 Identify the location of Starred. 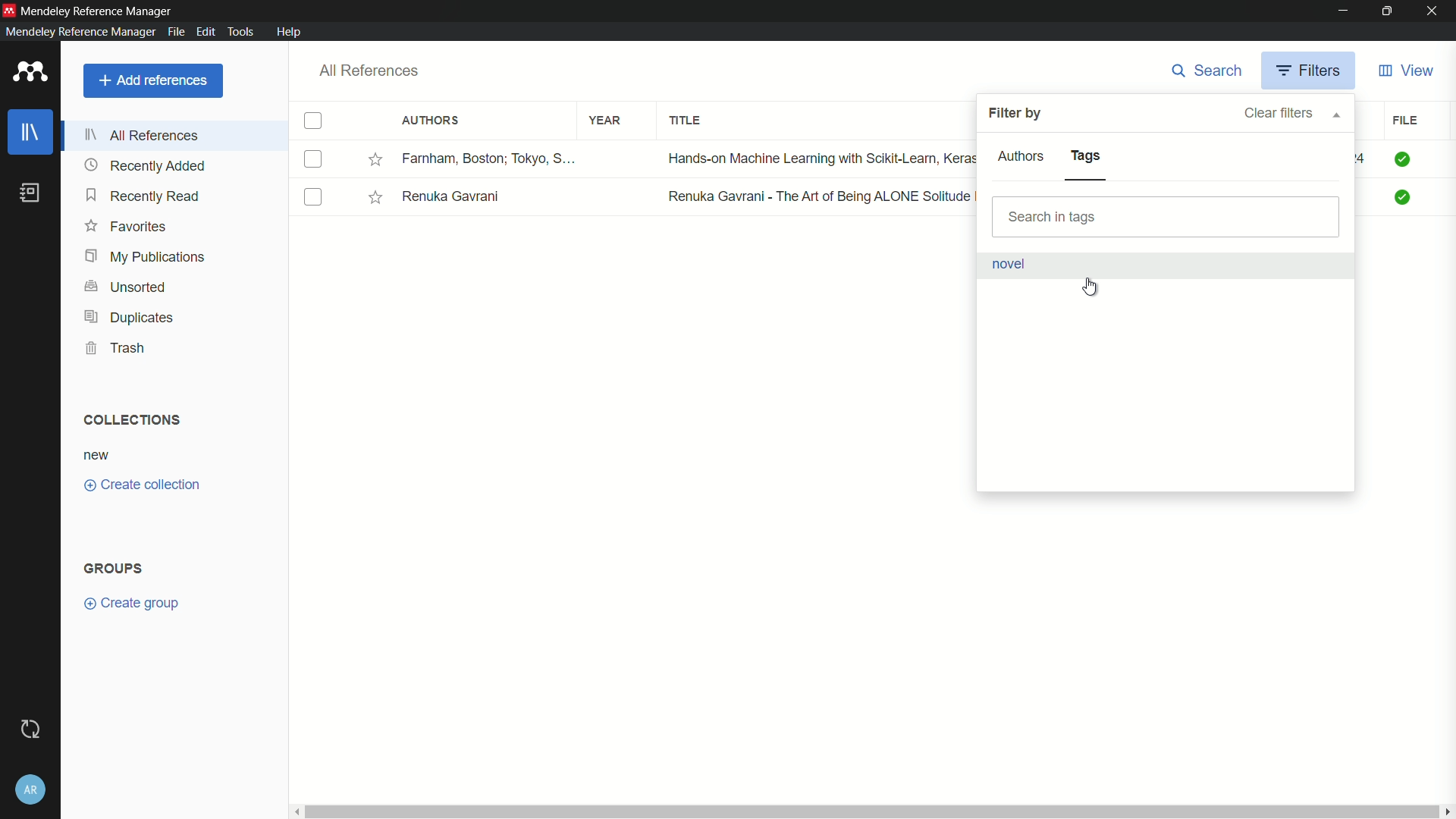
(375, 159).